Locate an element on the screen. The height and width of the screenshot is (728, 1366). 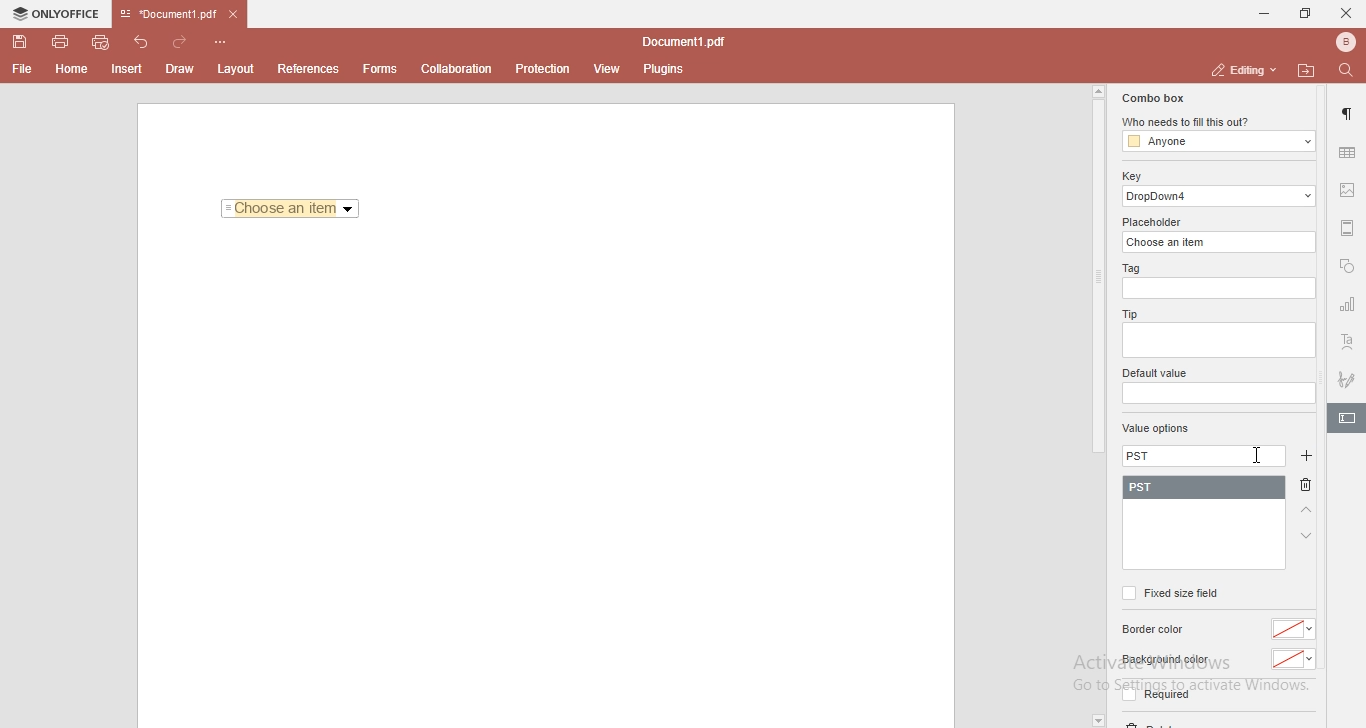
choose an item is located at coordinates (1221, 241).